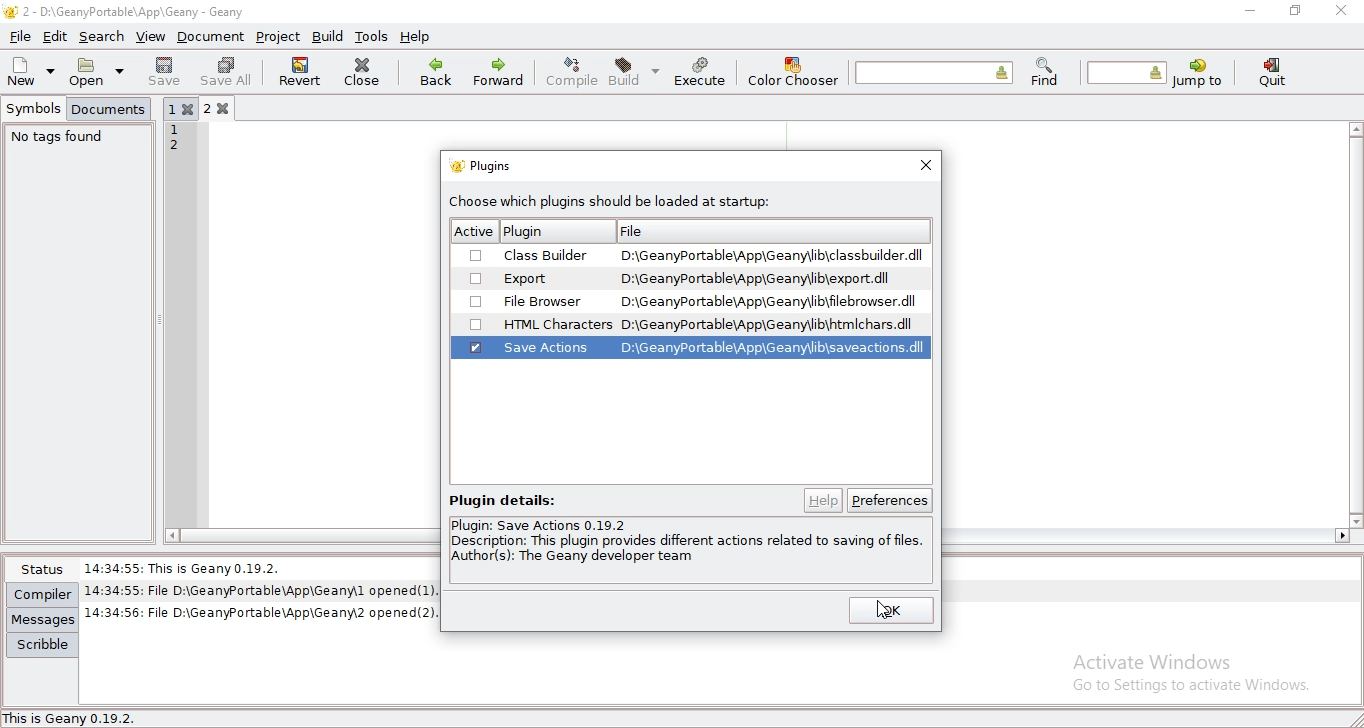  What do you see at coordinates (330, 37) in the screenshot?
I see `build` at bounding box center [330, 37].